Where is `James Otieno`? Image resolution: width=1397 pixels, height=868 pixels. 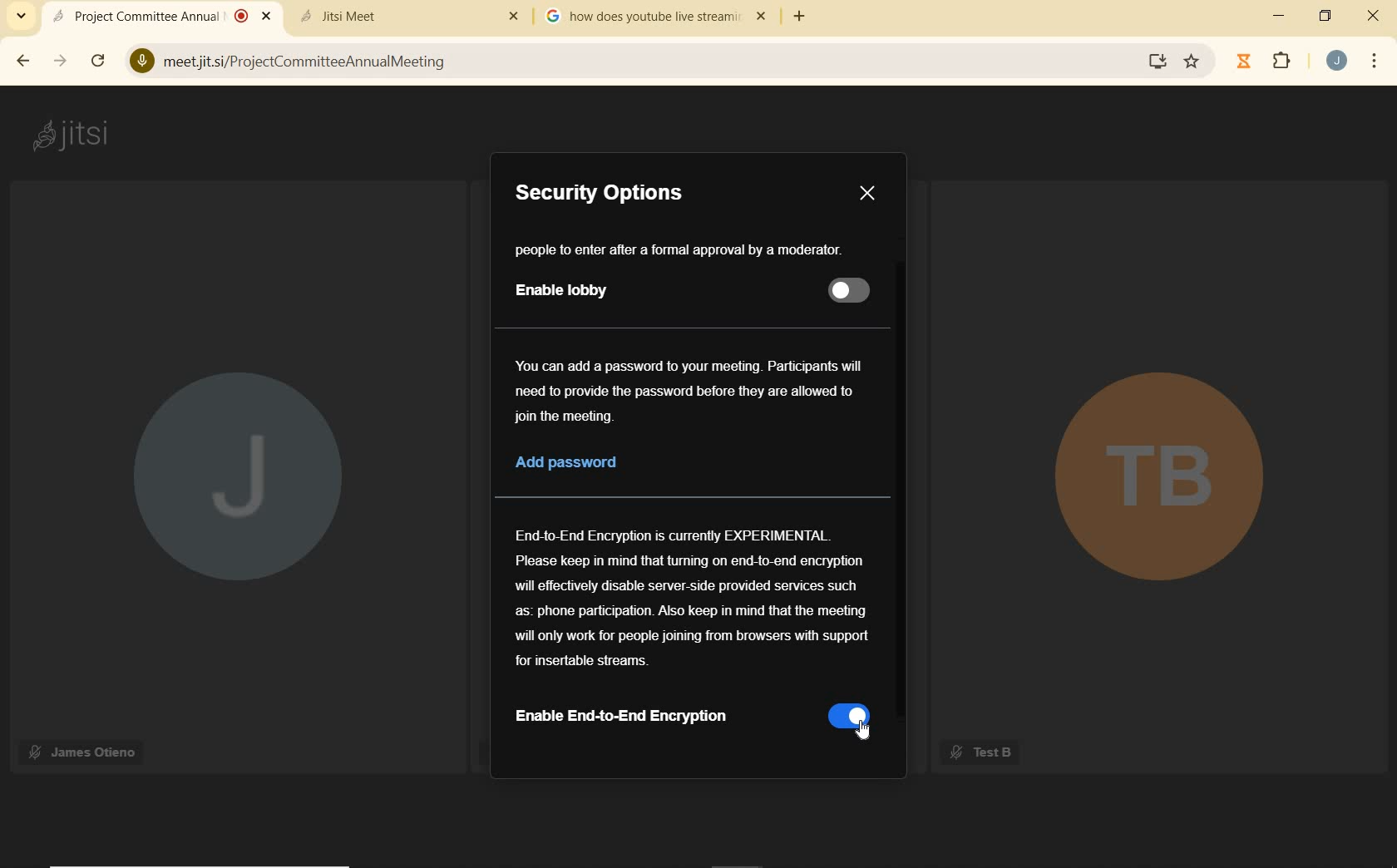
James Otieno is located at coordinates (85, 750).